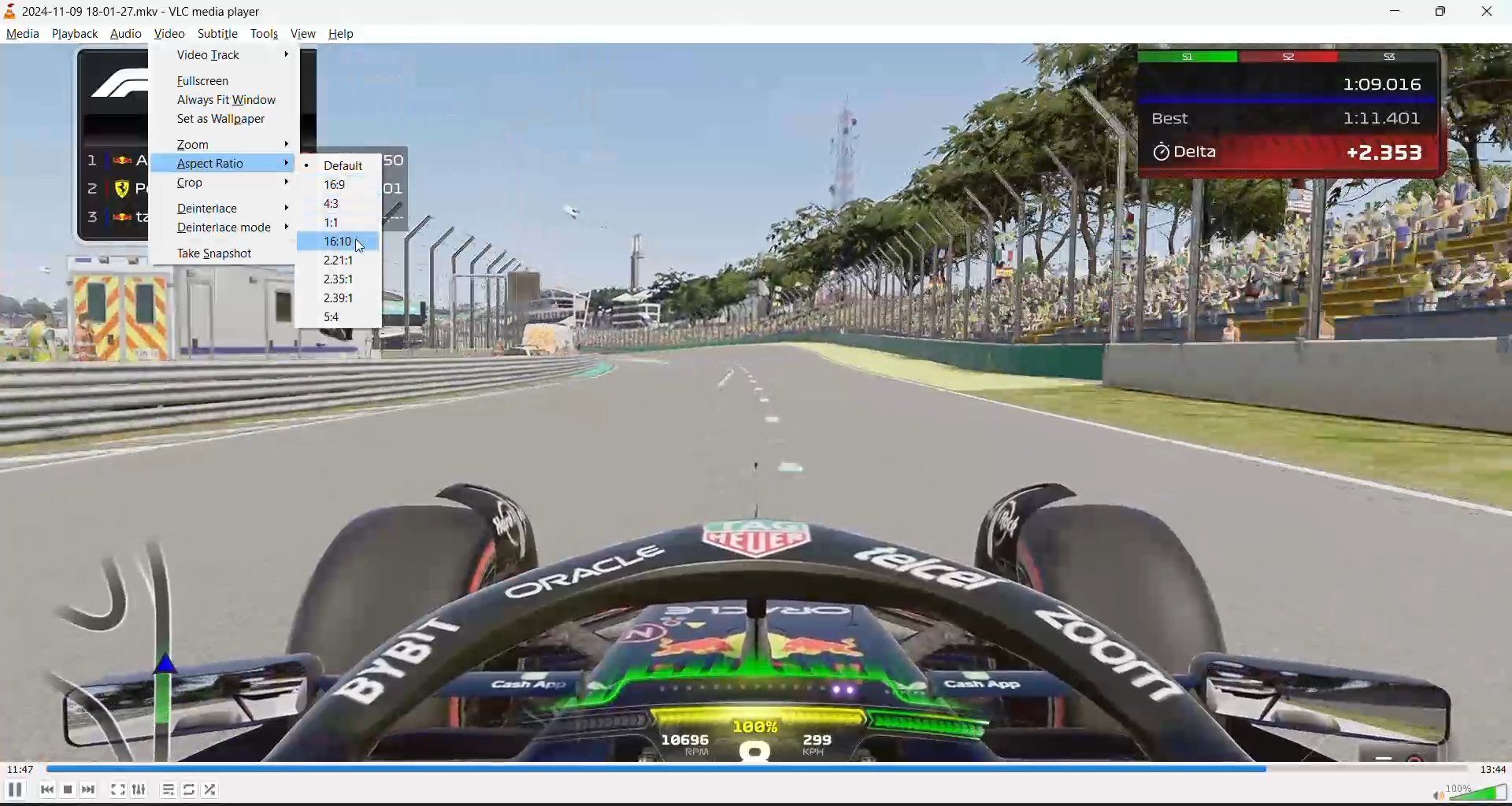  I want to click on default, so click(343, 168).